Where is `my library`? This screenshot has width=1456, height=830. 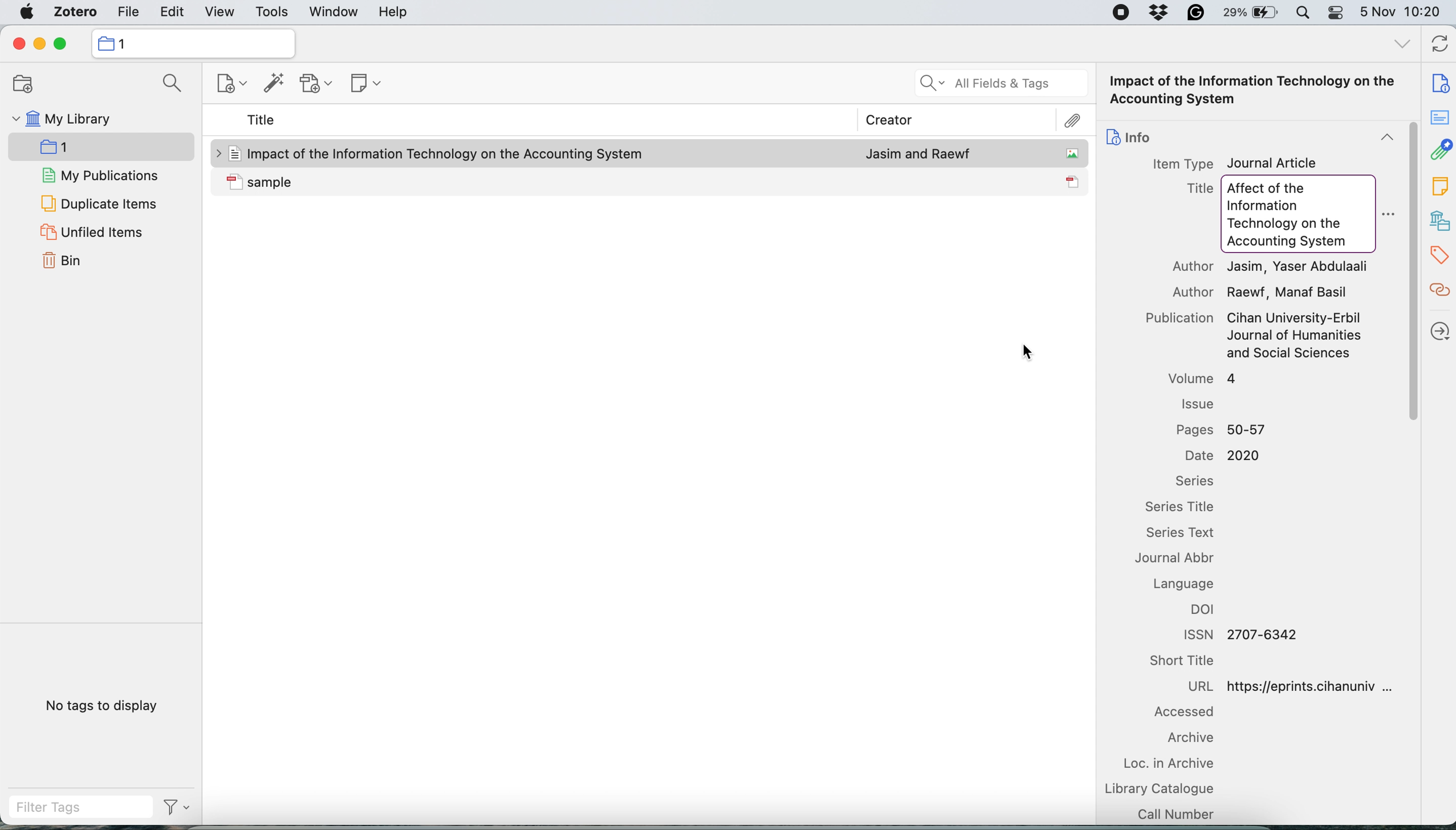
my library is located at coordinates (63, 117).